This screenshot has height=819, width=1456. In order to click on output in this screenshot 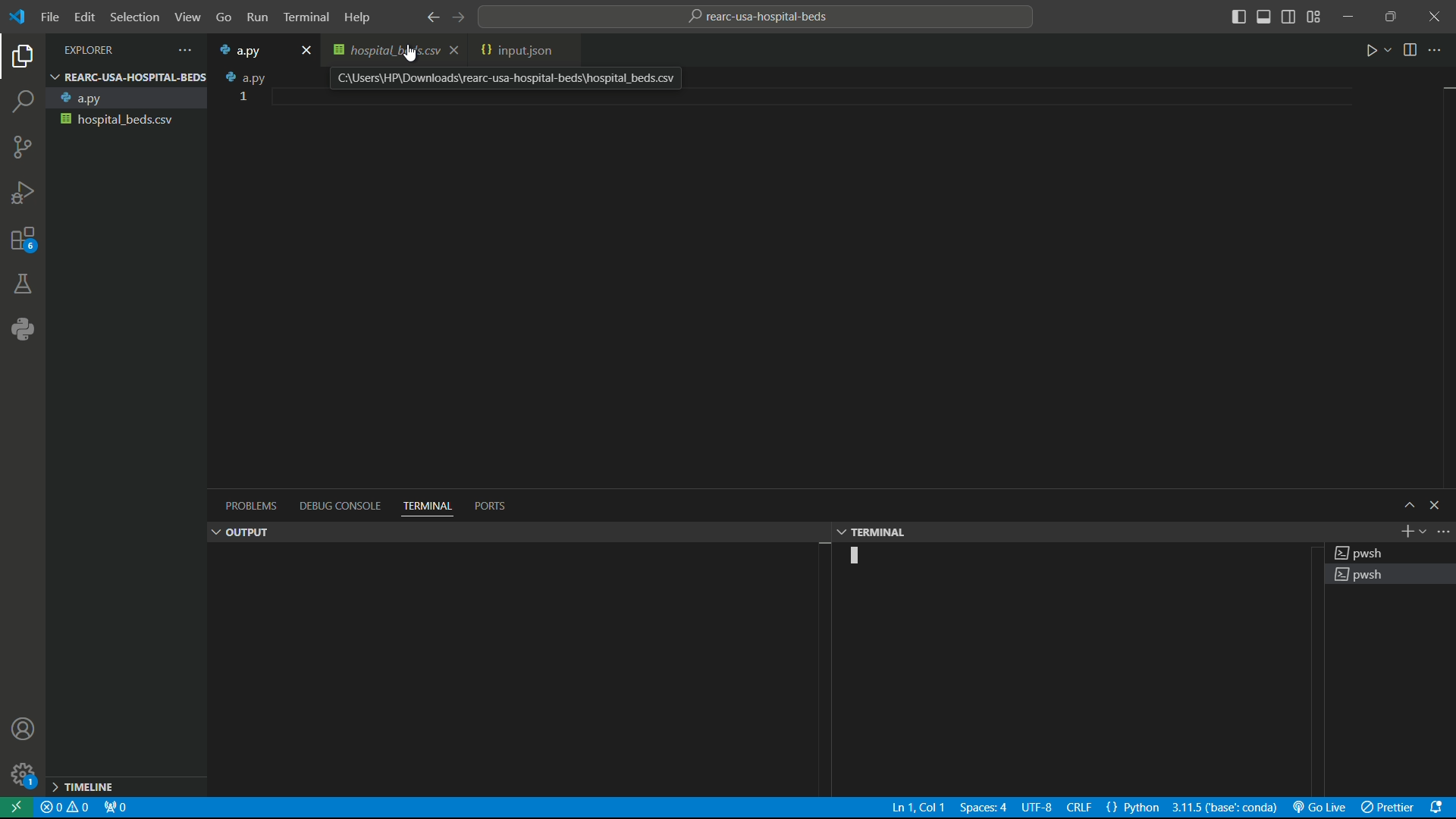, I will do `click(239, 533)`.